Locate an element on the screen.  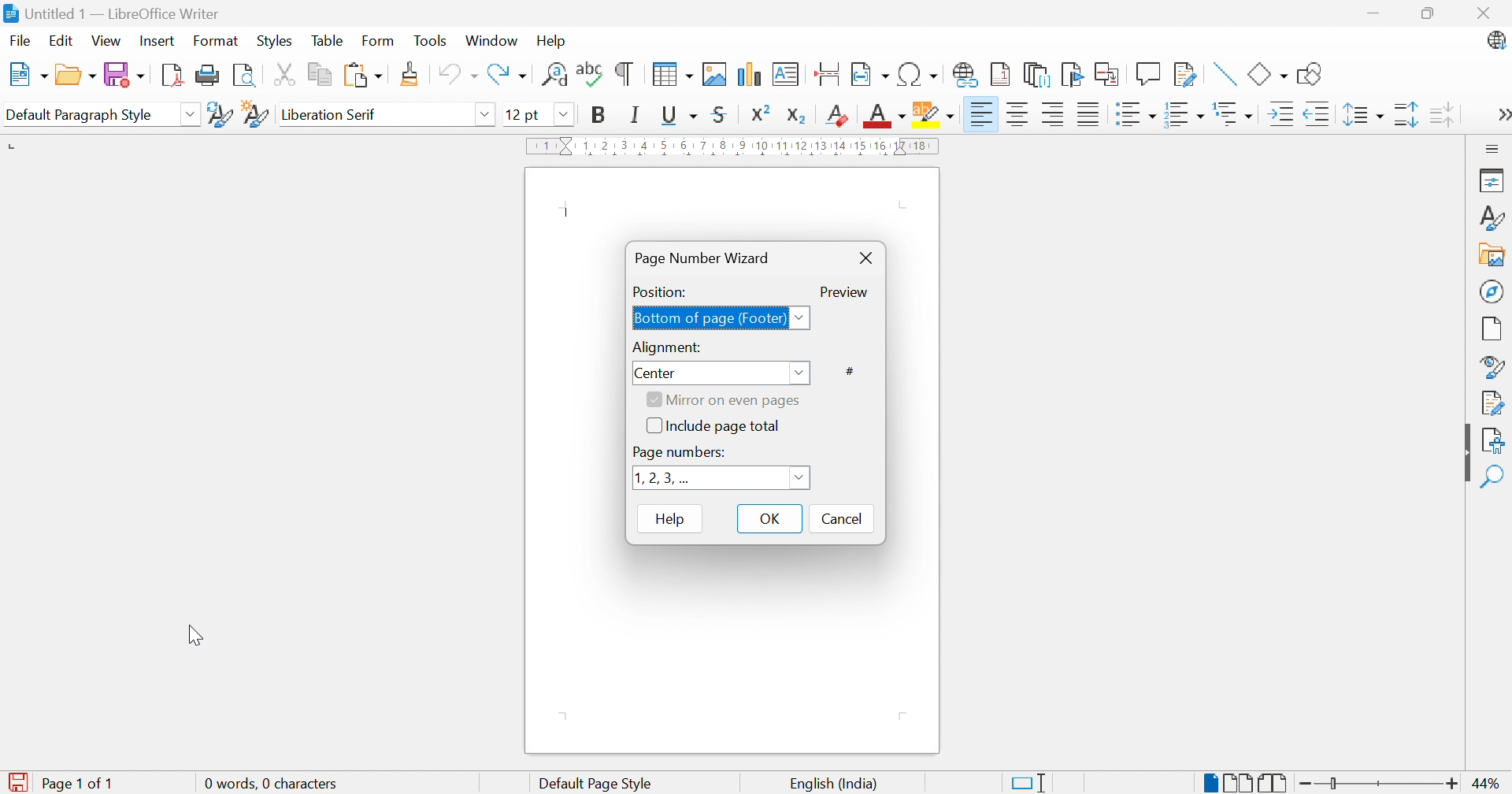
Tools is located at coordinates (430, 41).